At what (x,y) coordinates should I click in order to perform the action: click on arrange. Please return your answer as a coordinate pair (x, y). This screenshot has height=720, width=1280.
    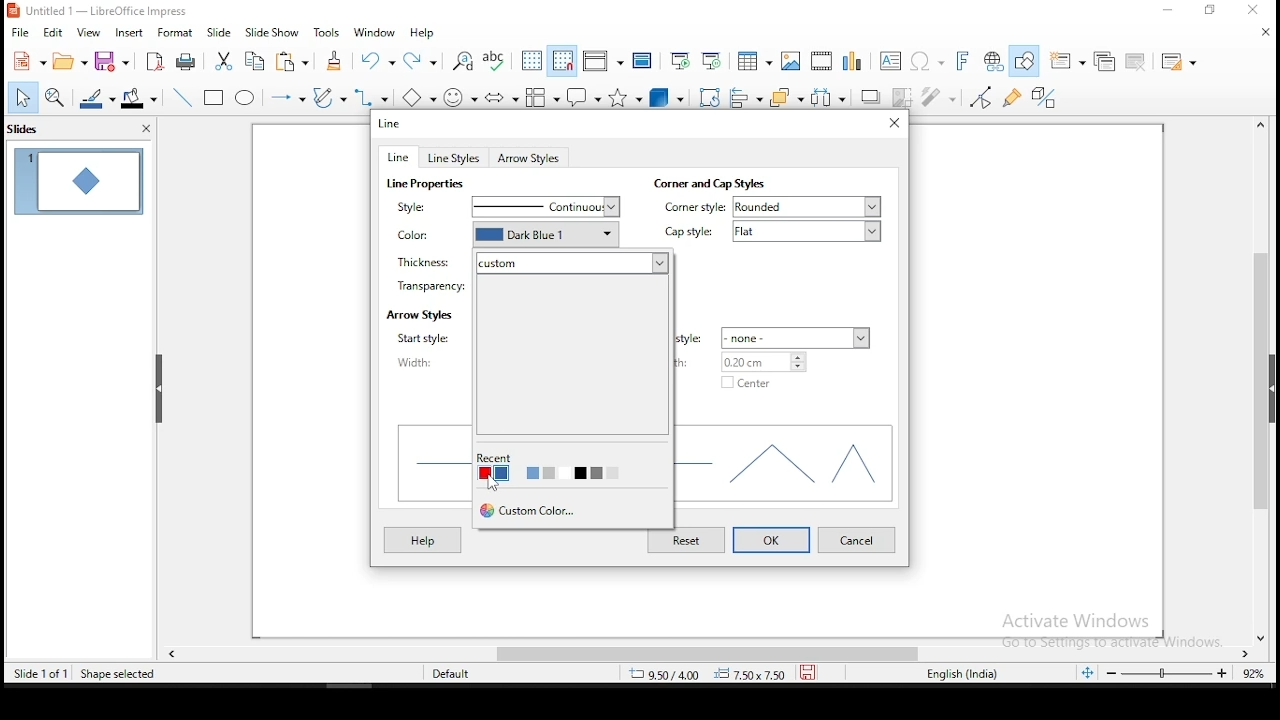
    Looking at the image, I should click on (783, 96).